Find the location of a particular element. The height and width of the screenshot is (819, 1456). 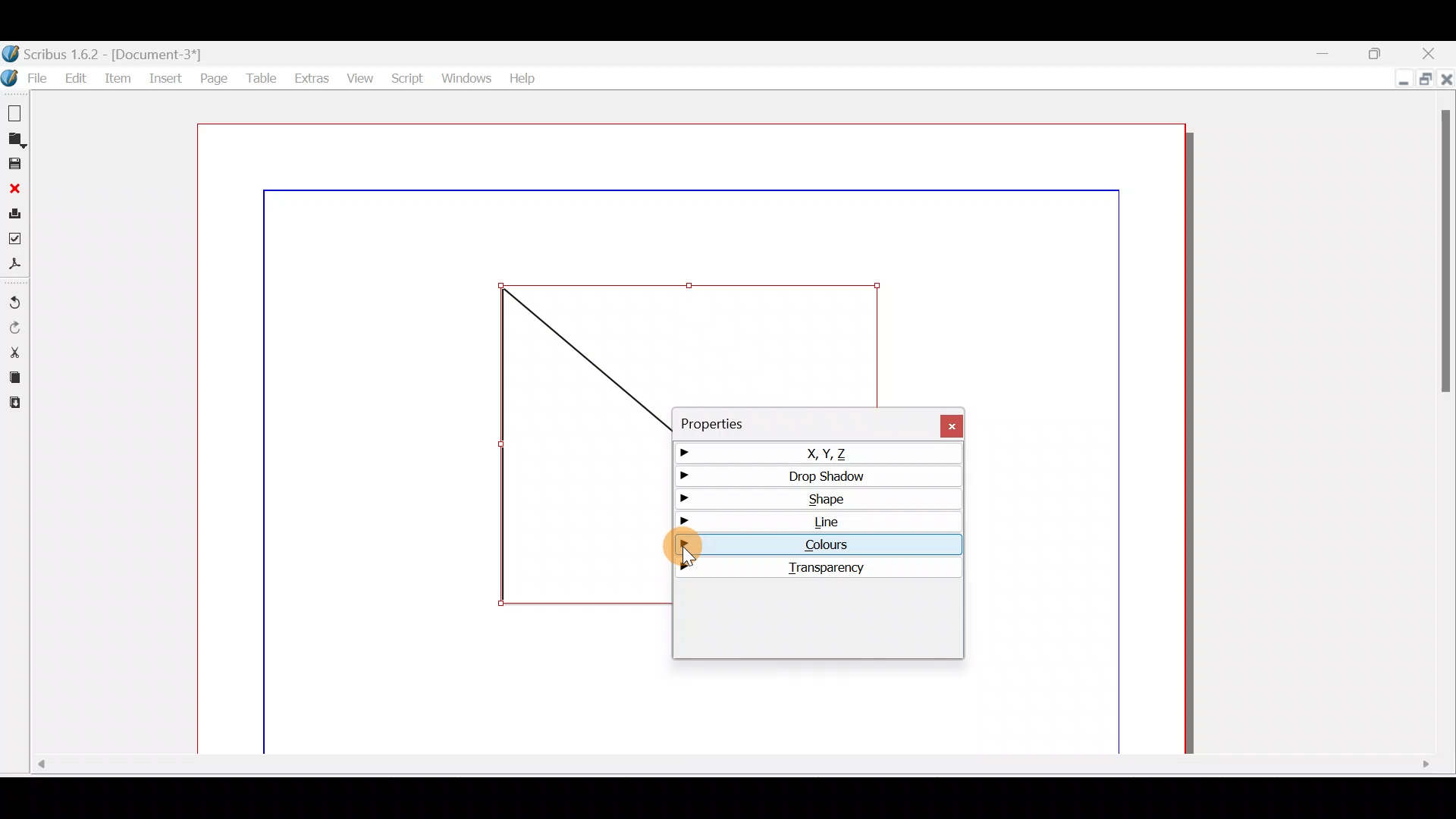

Maximise is located at coordinates (1426, 81).